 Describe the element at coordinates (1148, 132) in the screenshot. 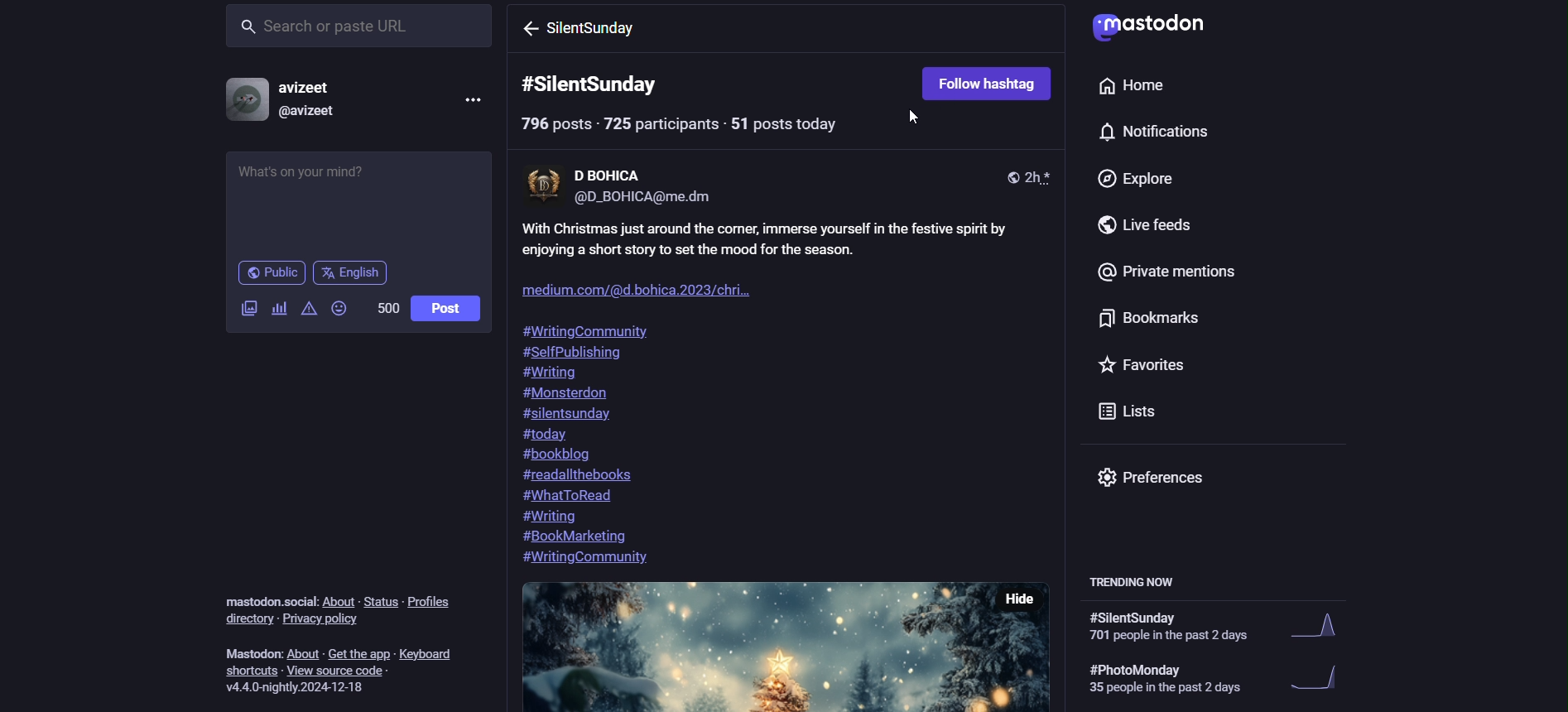

I see `notification` at that location.